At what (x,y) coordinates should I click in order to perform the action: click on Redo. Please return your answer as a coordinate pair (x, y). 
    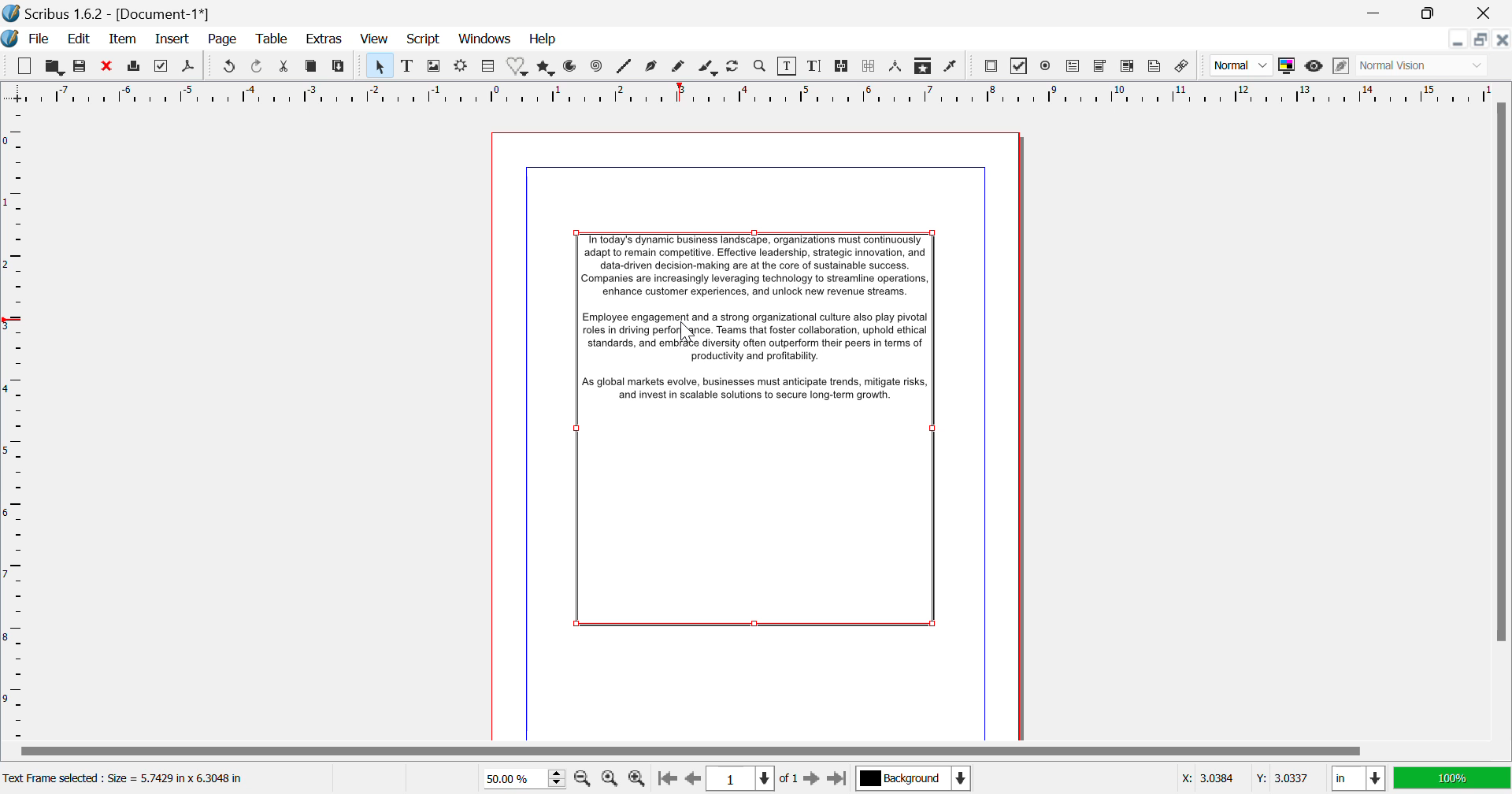
    Looking at the image, I should click on (232, 66).